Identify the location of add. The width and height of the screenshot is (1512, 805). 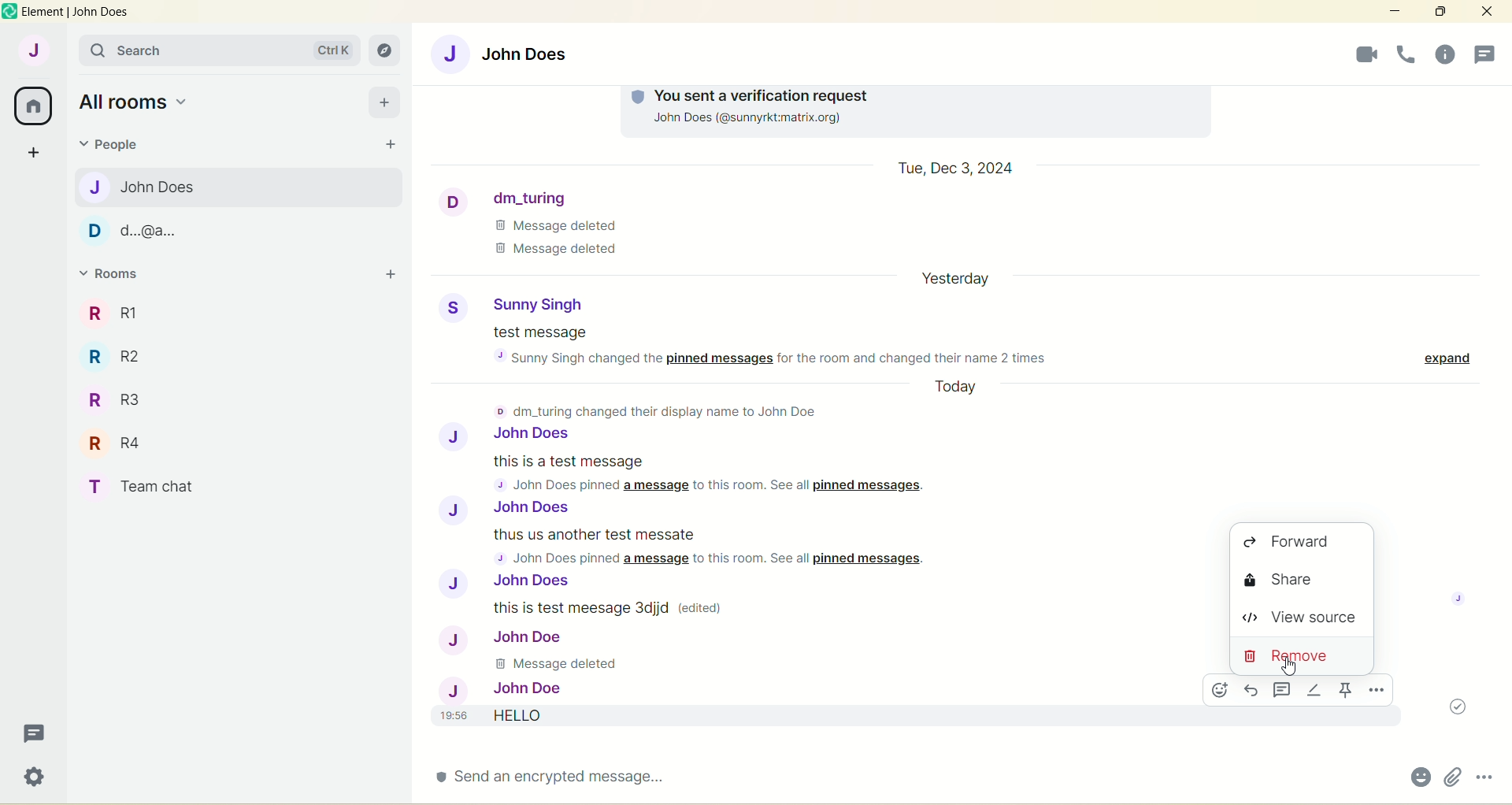
(389, 276).